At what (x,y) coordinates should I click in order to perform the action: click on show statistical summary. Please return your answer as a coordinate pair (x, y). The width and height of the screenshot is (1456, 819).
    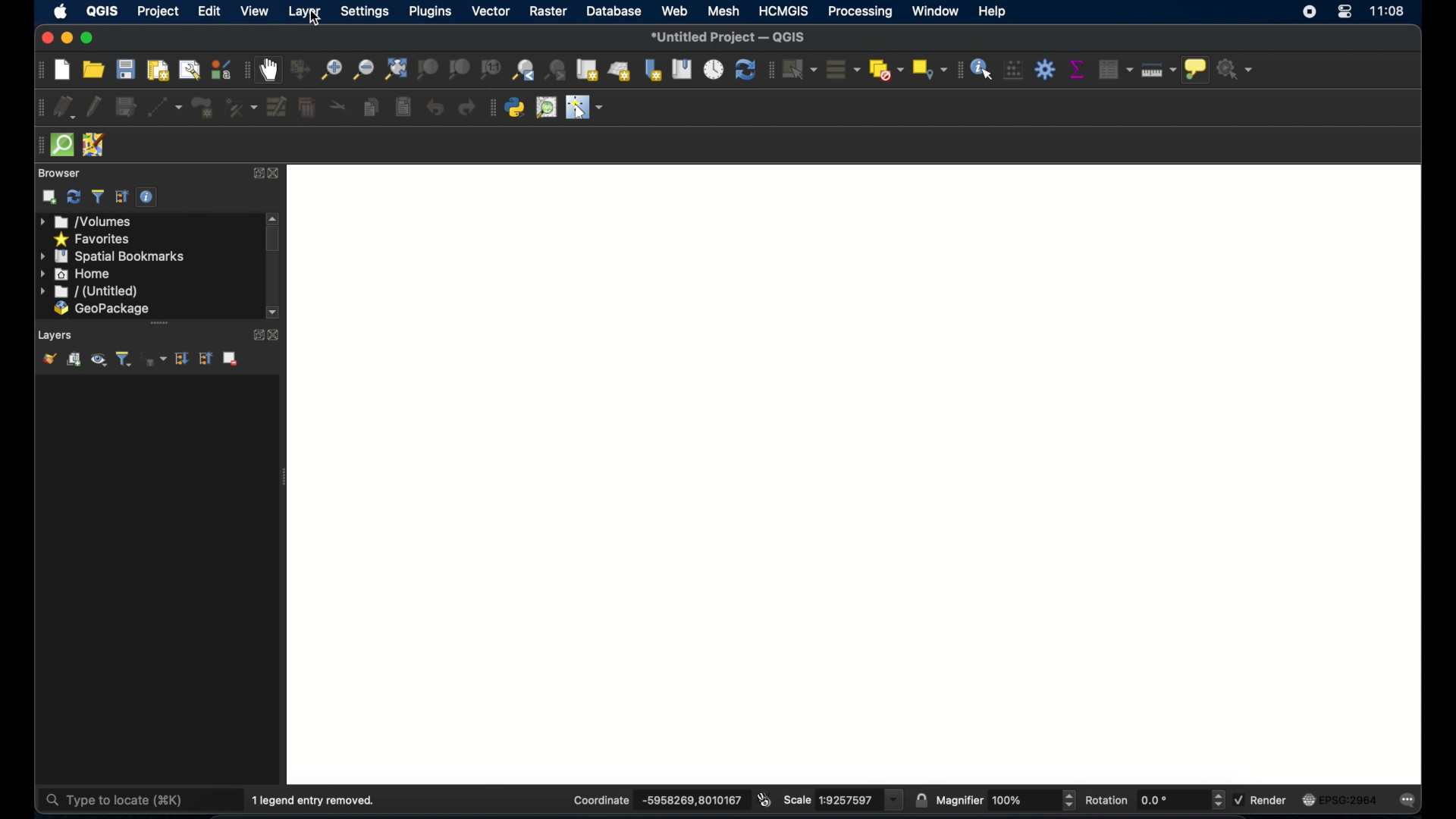
    Looking at the image, I should click on (1076, 69).